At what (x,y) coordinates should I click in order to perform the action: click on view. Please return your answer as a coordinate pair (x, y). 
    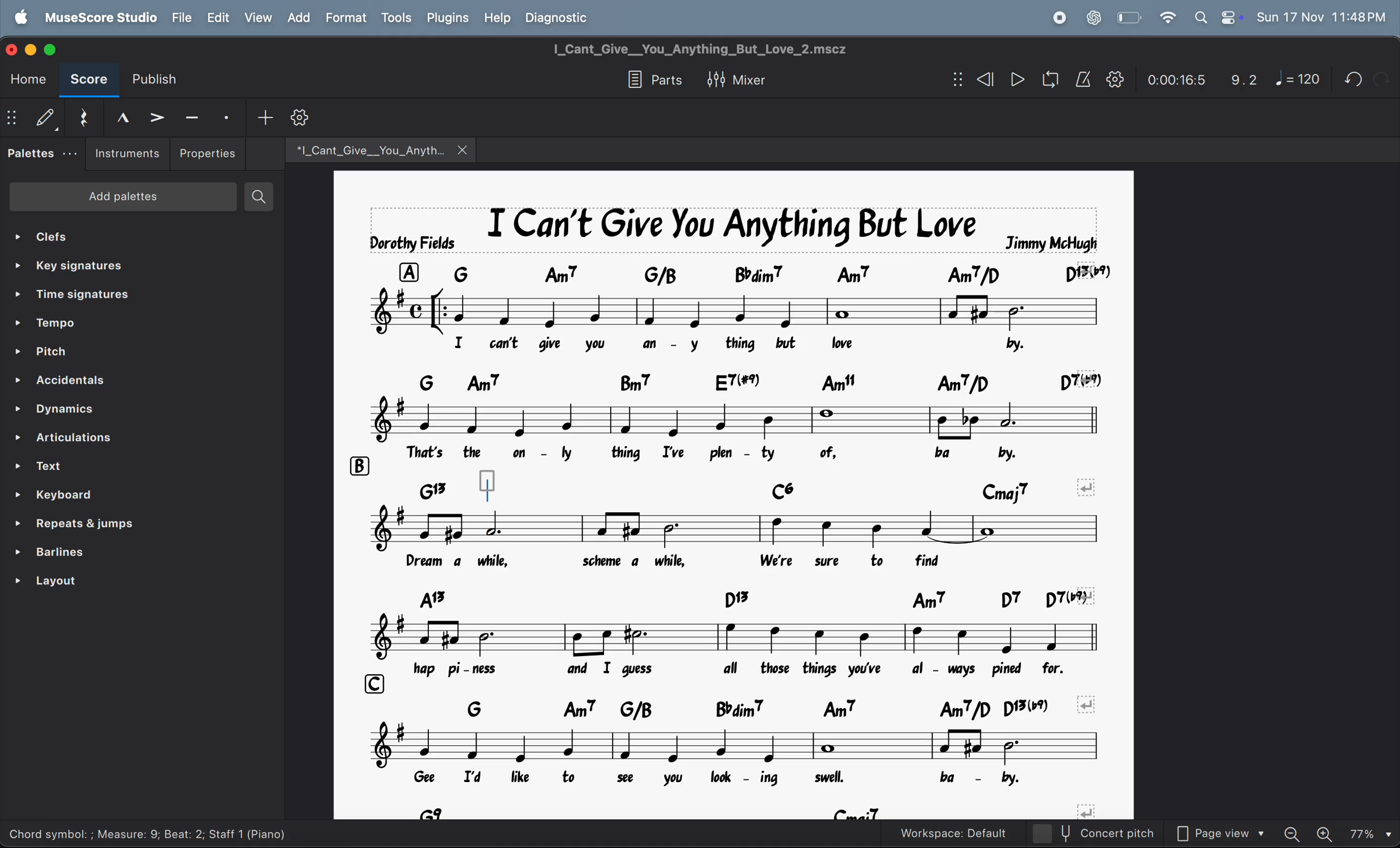
    Looking at the image, I should click on (259, 18).